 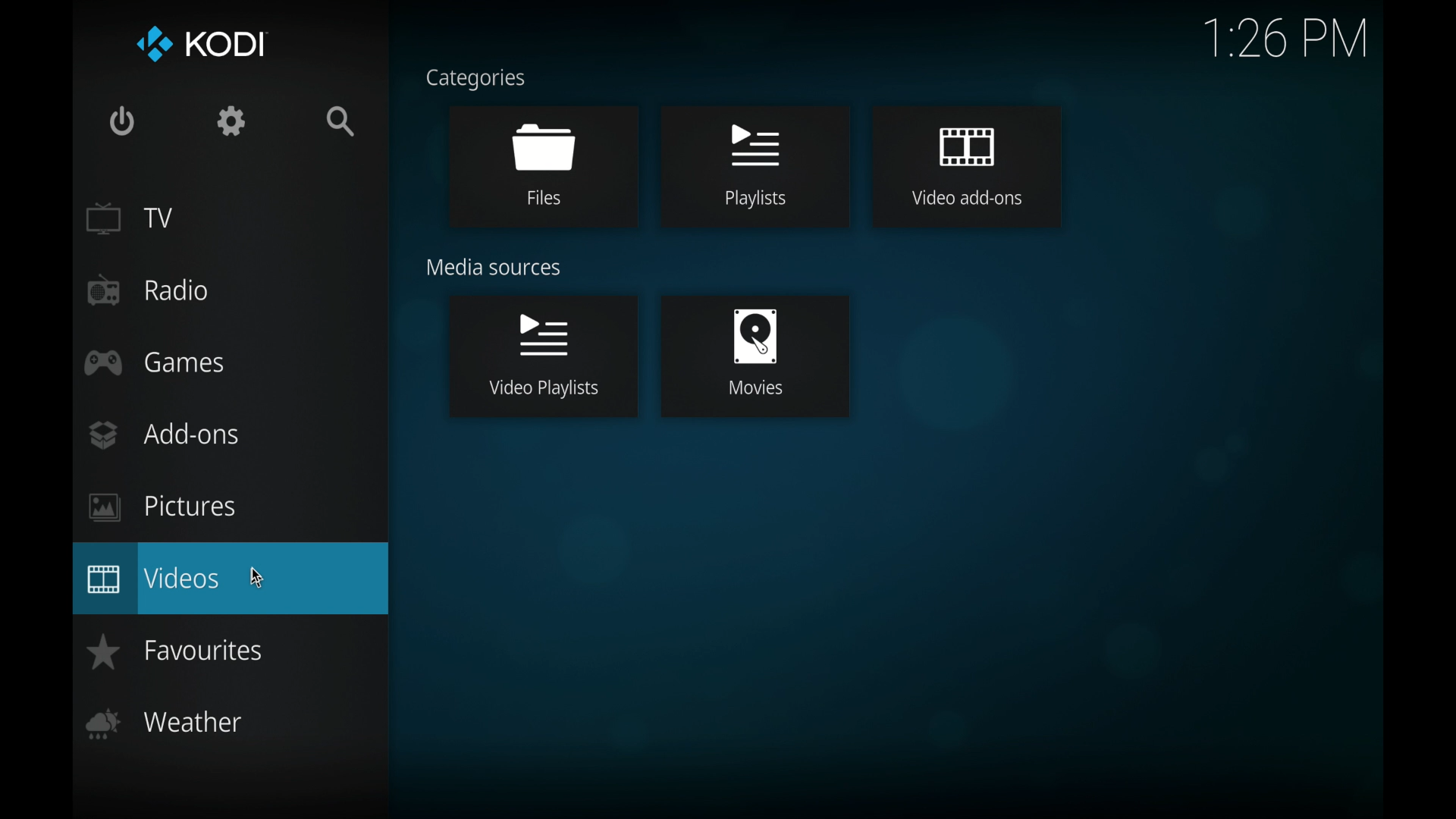 What do you see at coordinates (542, 357) in the screenshot?
I see `video playlists` at bounding box center [542, 357].